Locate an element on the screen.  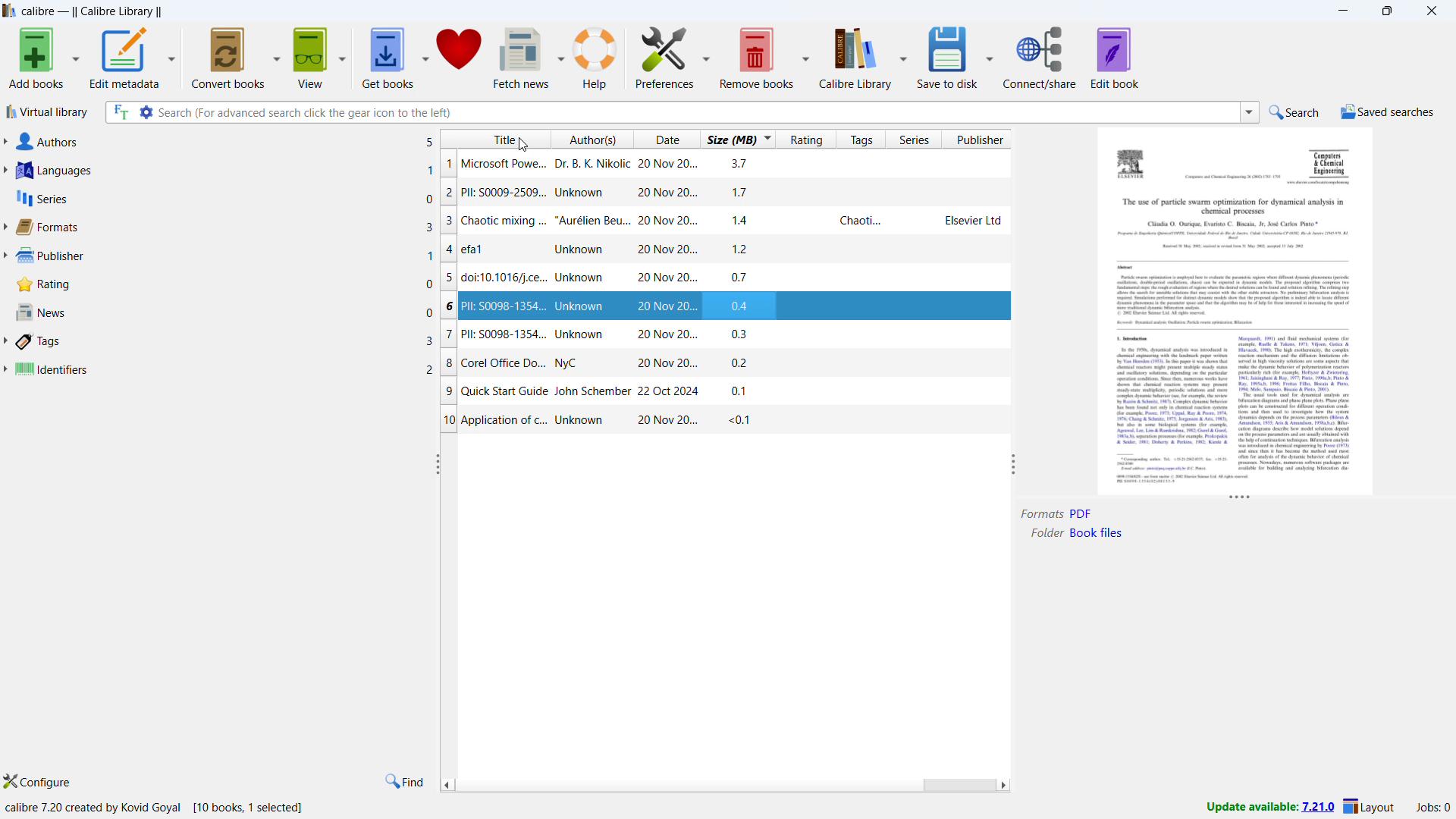
search history is located at coordinates (1250, 111).